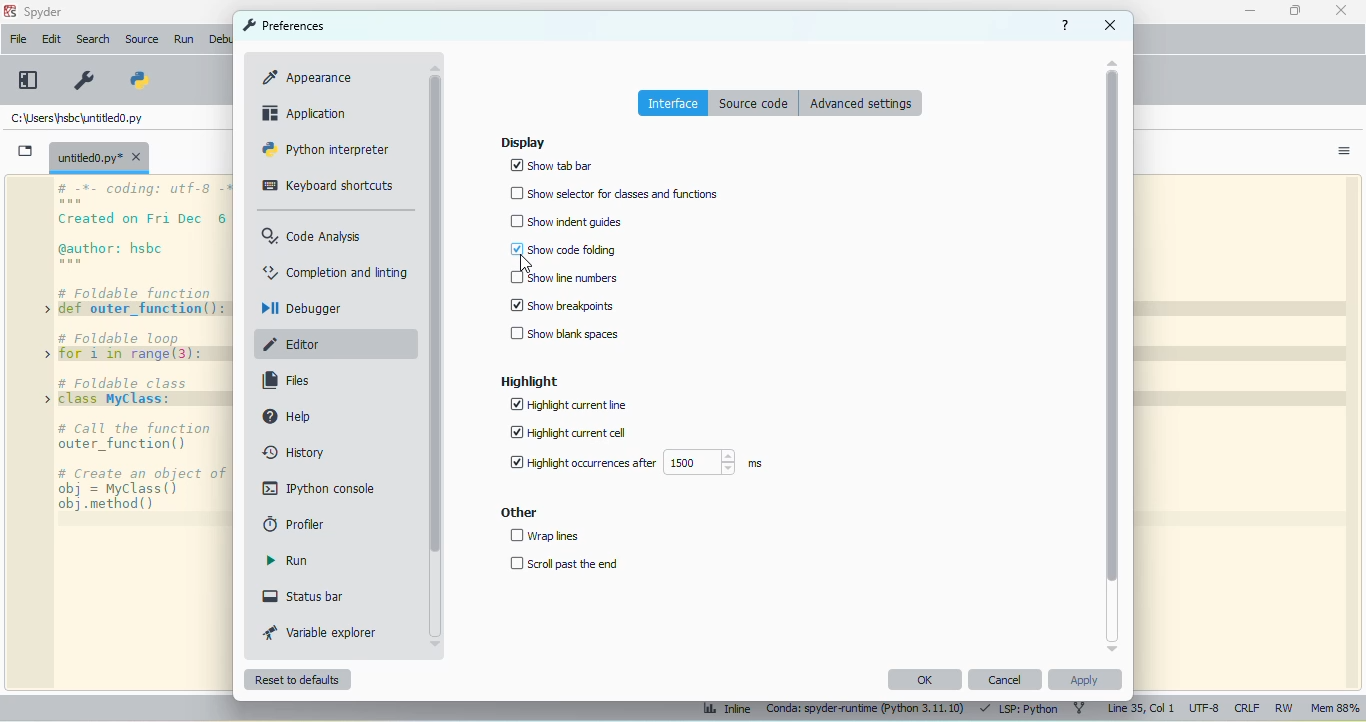 The image size is (1366, 722). Describe the element at coordinates (563, 277) in the screenshot. I see `show line numbers` at that location.